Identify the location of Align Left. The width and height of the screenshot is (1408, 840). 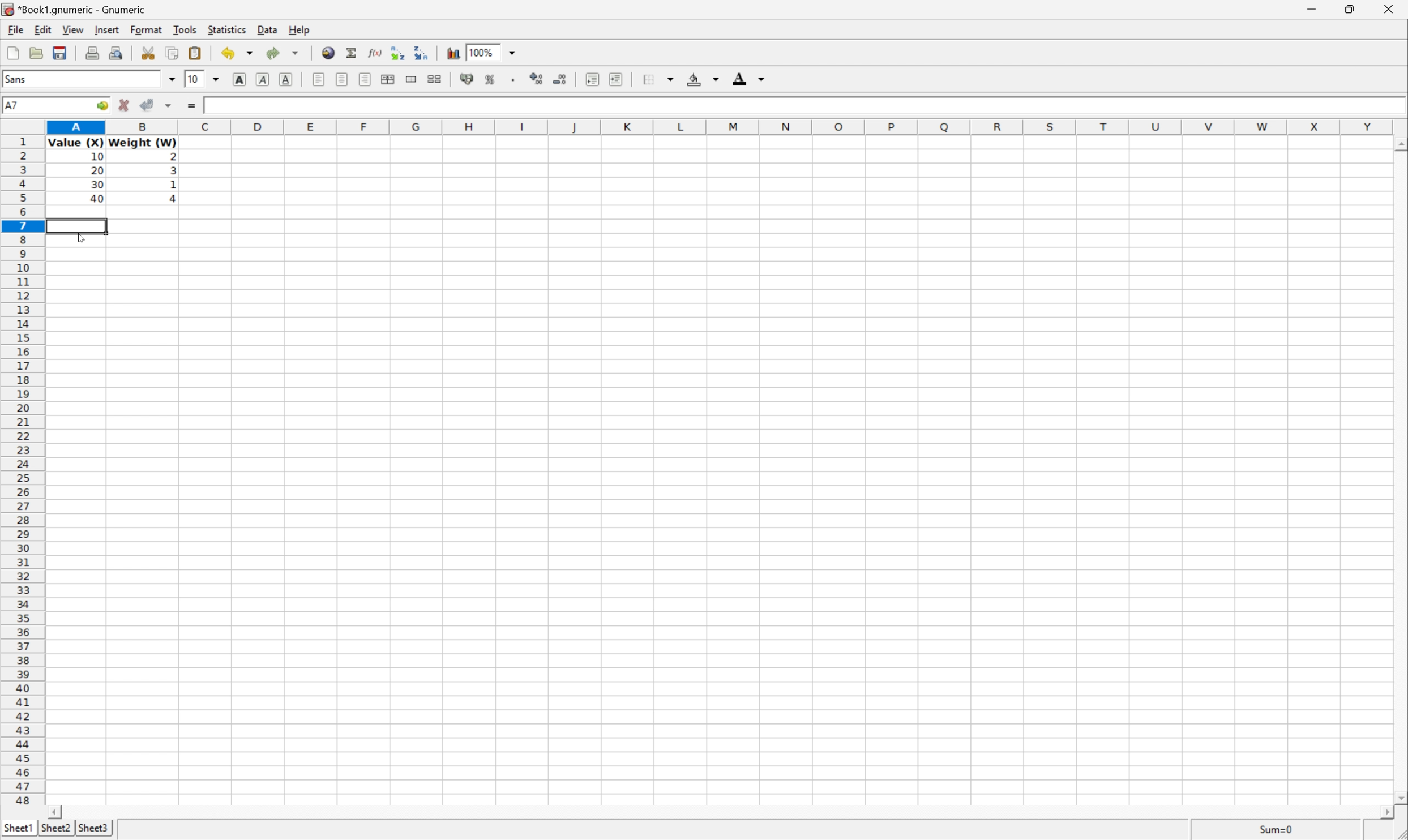
(319, 79).